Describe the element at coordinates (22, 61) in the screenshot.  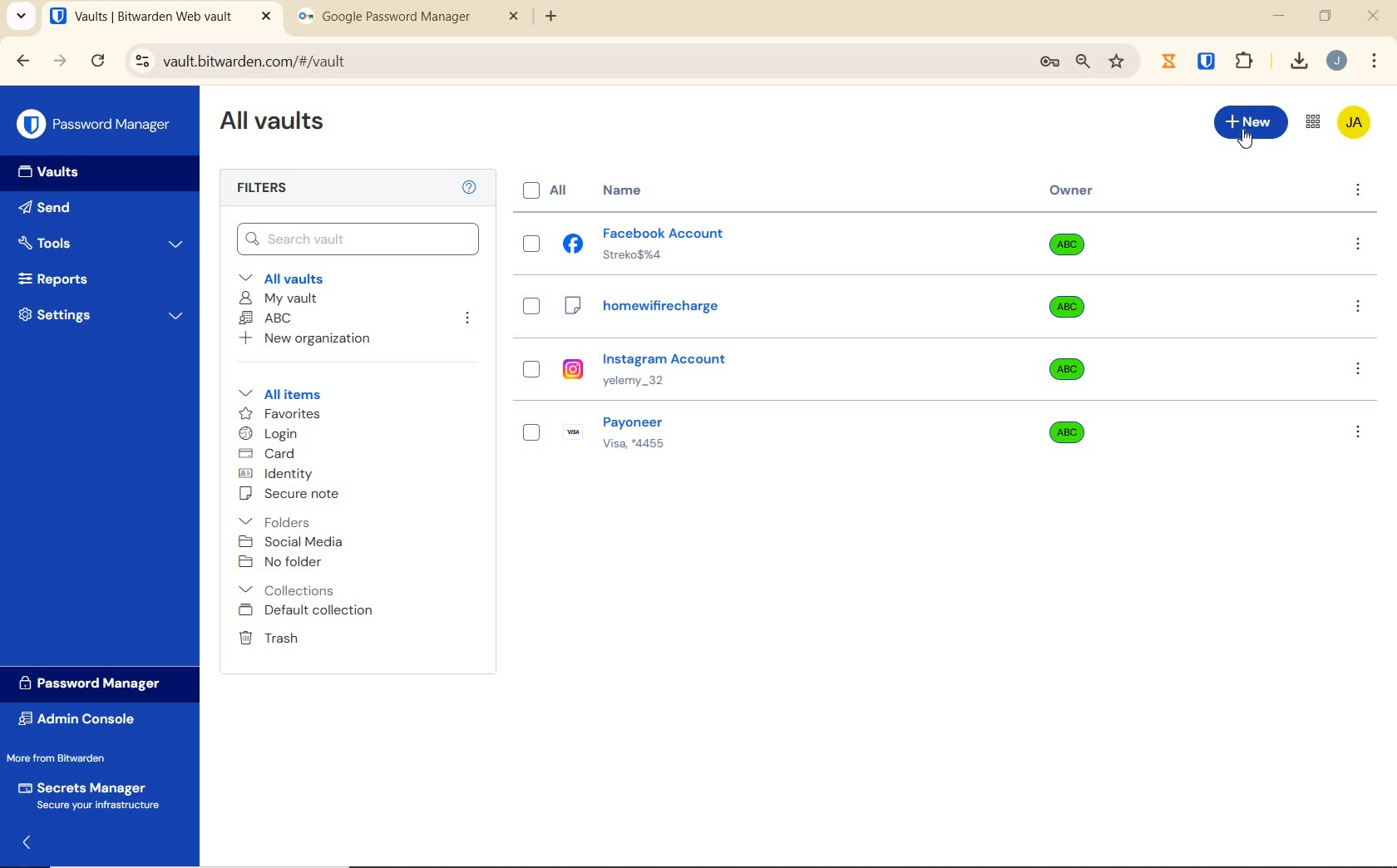
I see `backward` at that location.